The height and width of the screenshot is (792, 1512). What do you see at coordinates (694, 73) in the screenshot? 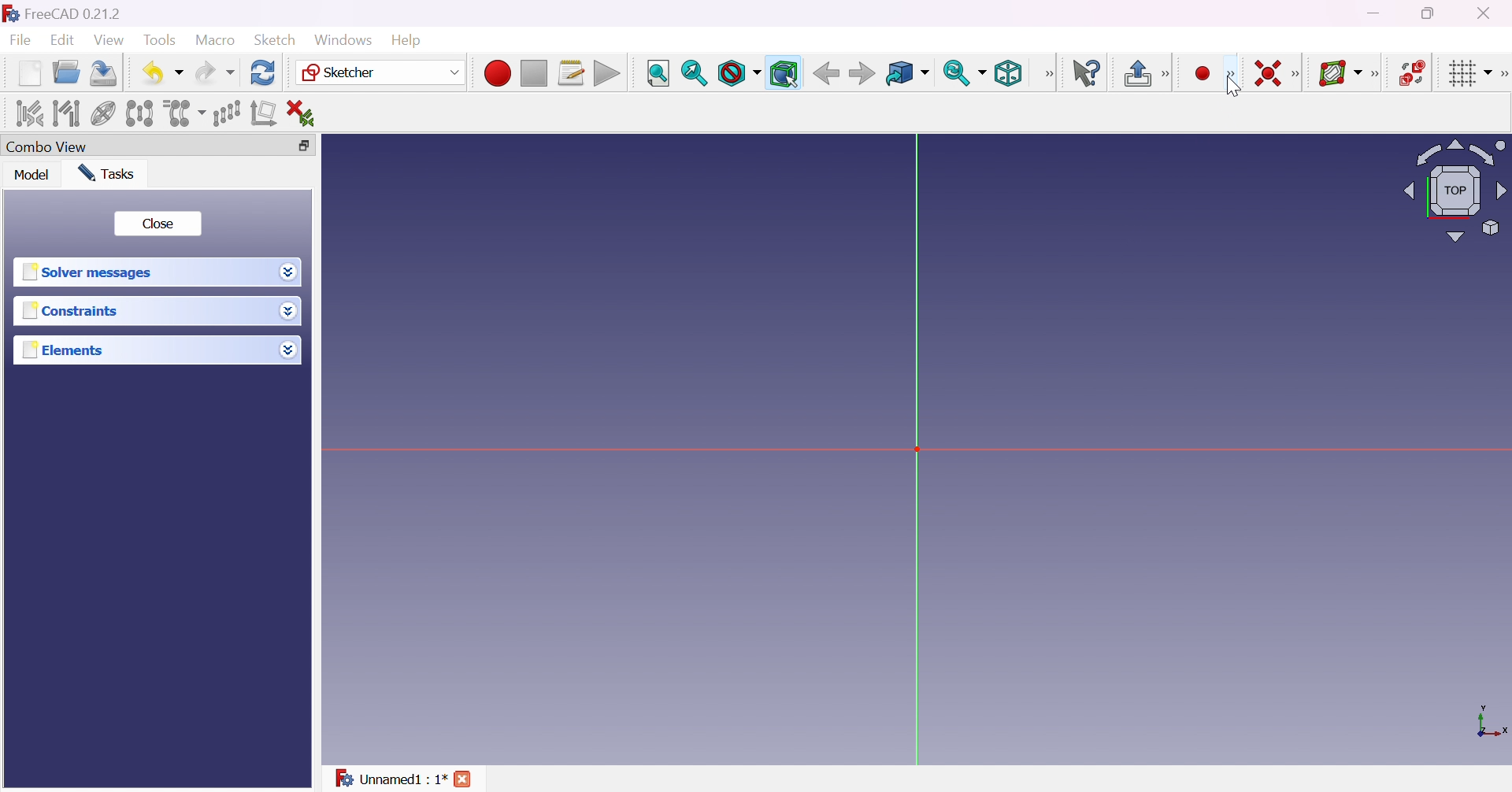
I see `Fit selection` at bounding box center [694, 73].